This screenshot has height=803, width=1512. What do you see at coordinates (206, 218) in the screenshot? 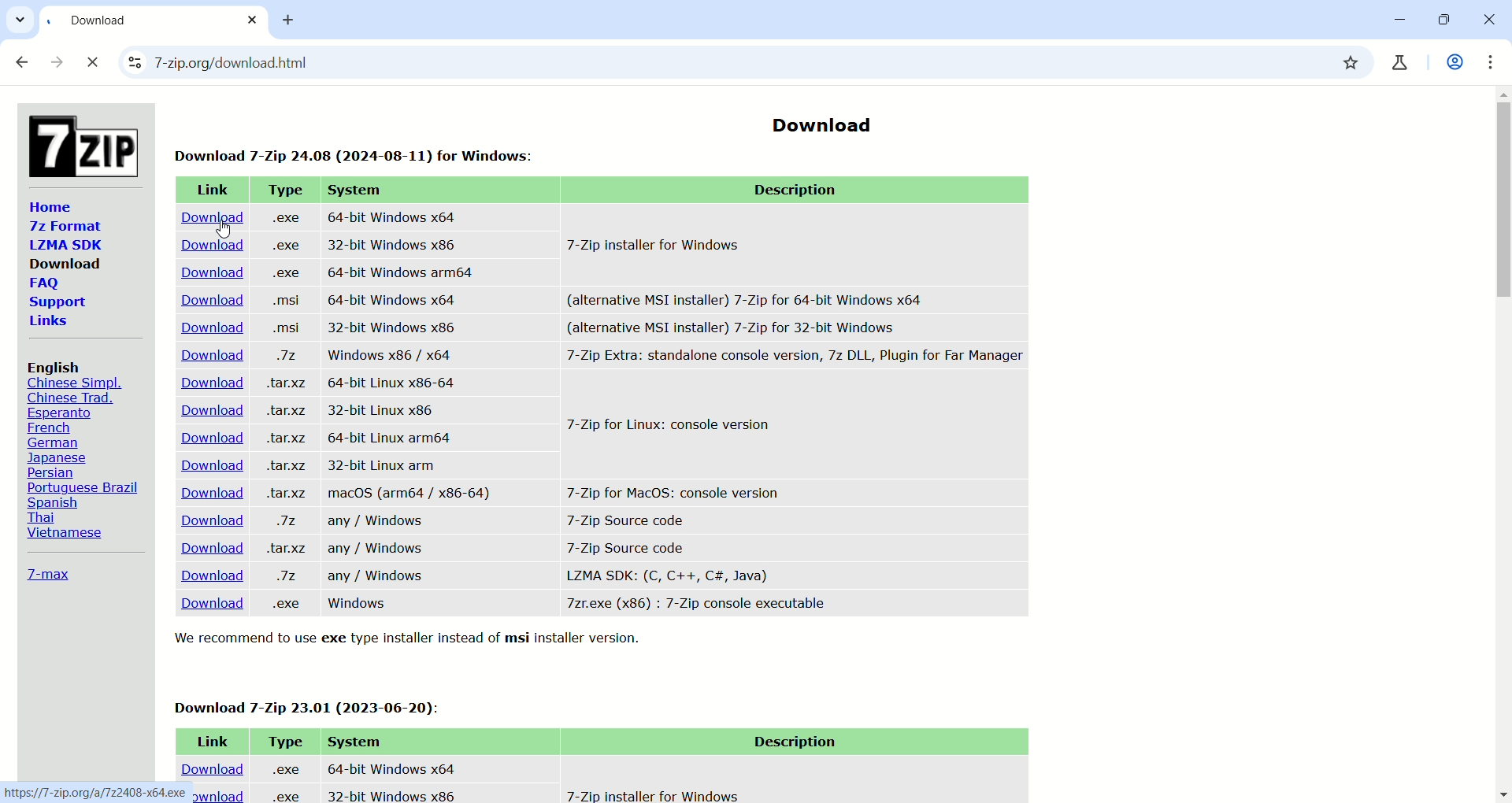
I see `Download` at bounding box center [206, 218].